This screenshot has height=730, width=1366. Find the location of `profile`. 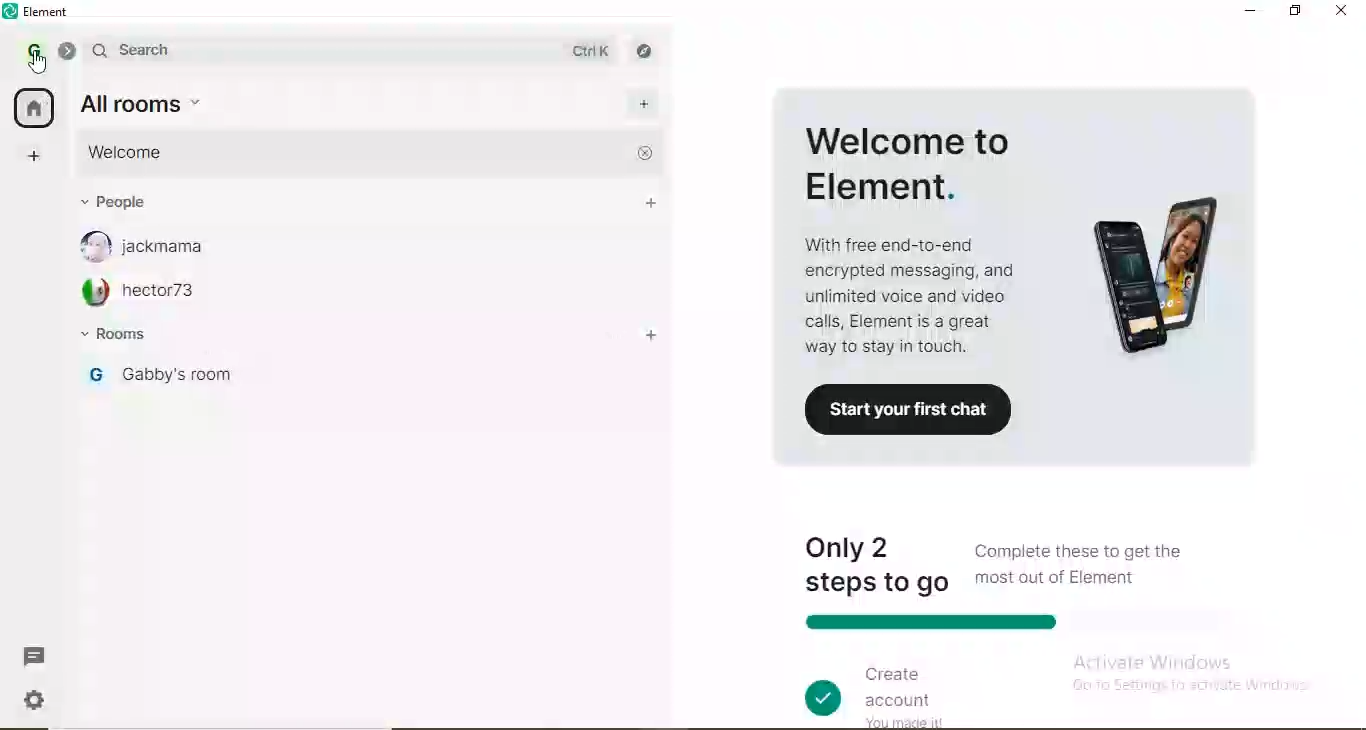

profile is located at coordinates (32, 52).